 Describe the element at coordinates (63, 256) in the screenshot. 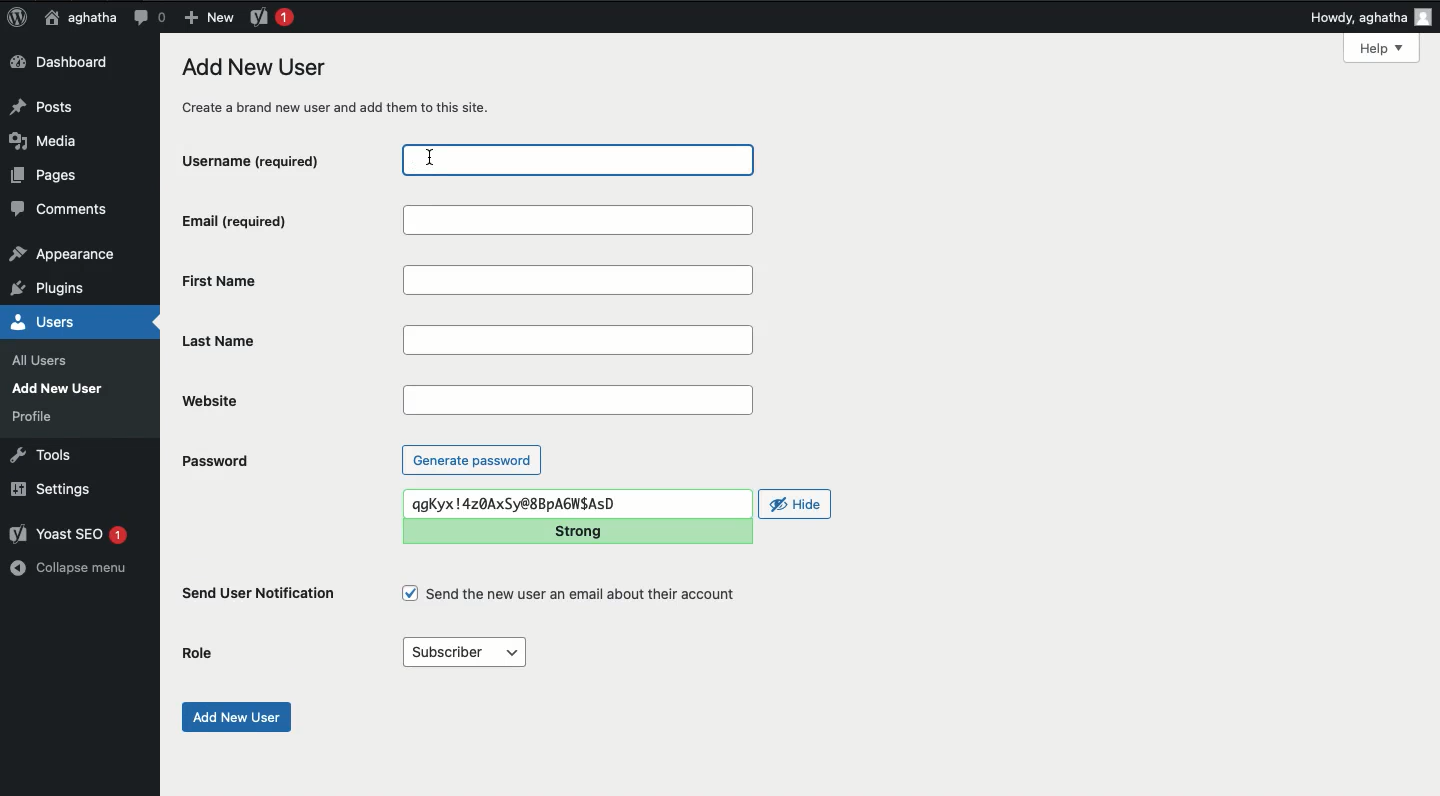

I see `appearance` at that location.